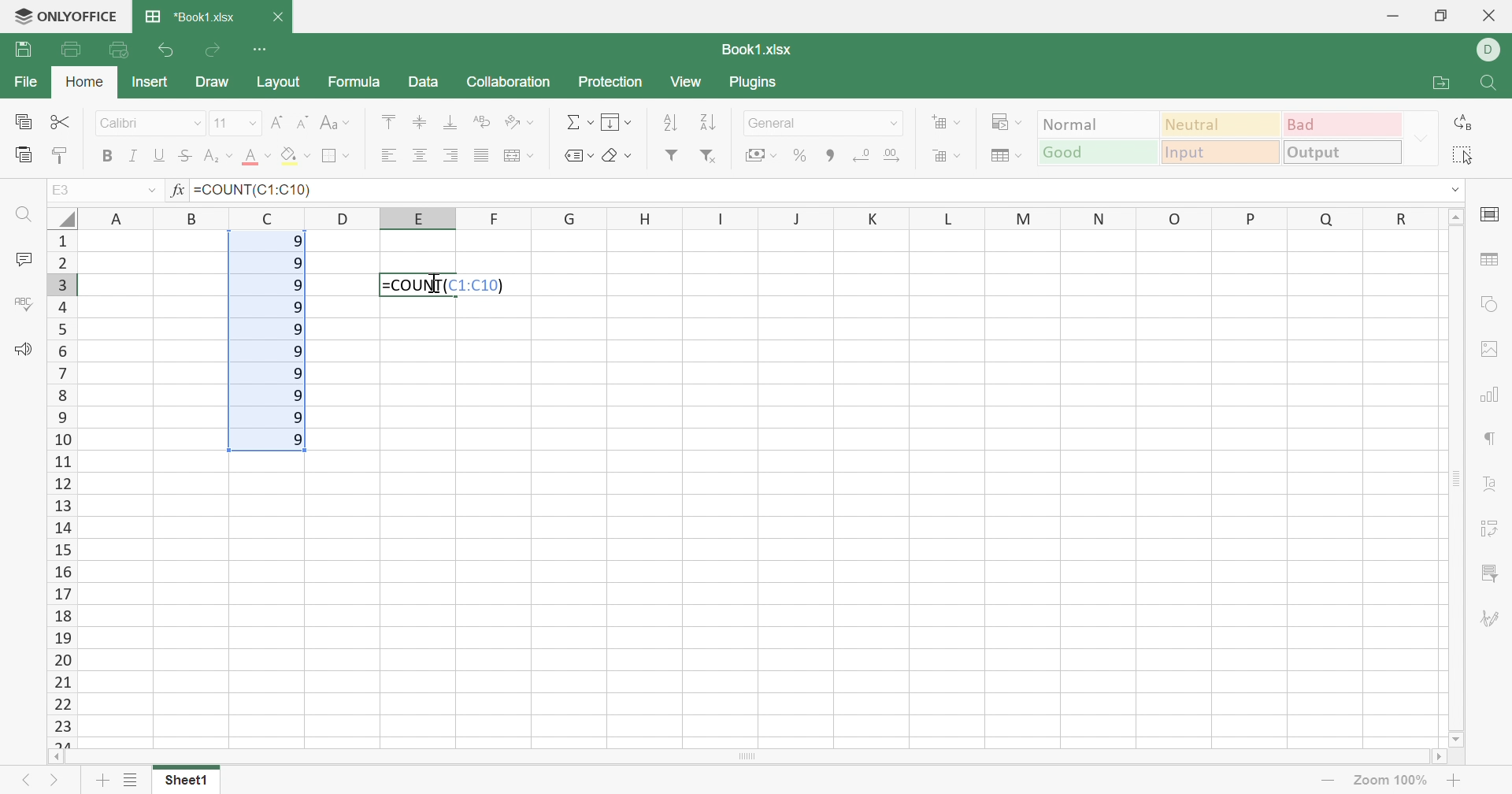 Image resolution: width=1512 pixels, height=794 pixels. Describe the element at coordinates (828, 154) in the screenshot. I see `Comma style` at that location.